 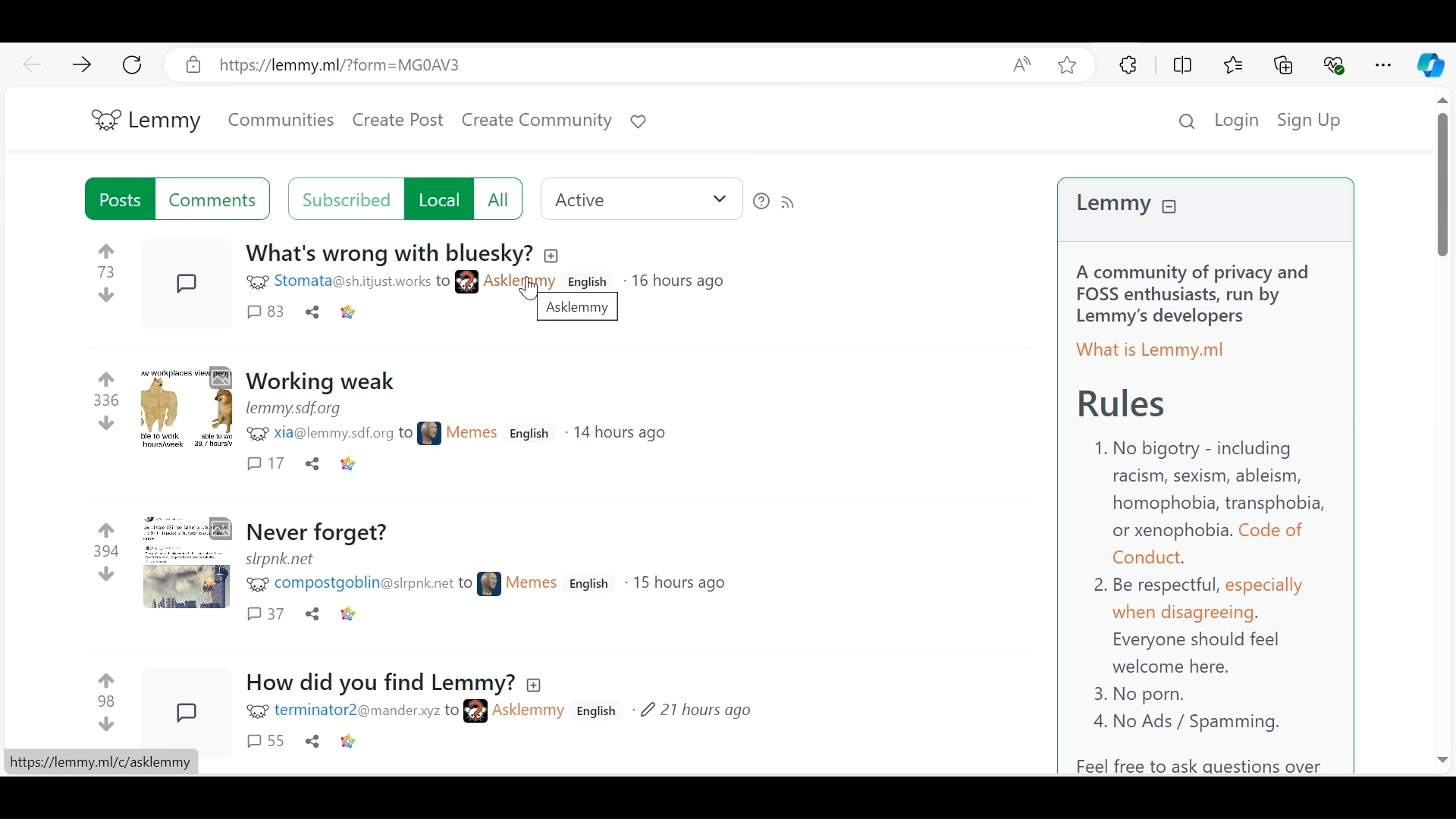 I want to click on Share, so click(x=312, y=742).